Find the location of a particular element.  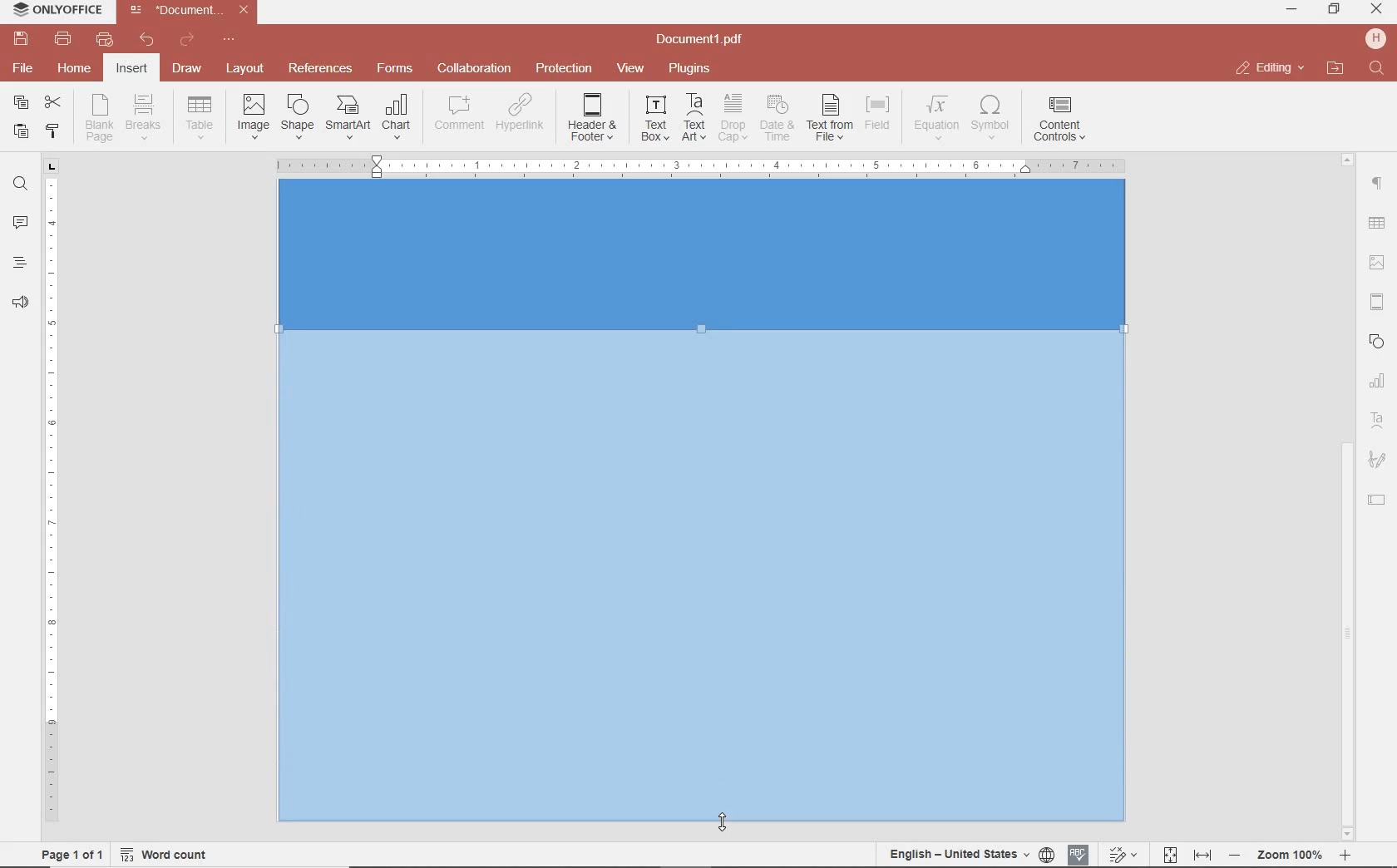

paste is located at coordinates (19, 131).